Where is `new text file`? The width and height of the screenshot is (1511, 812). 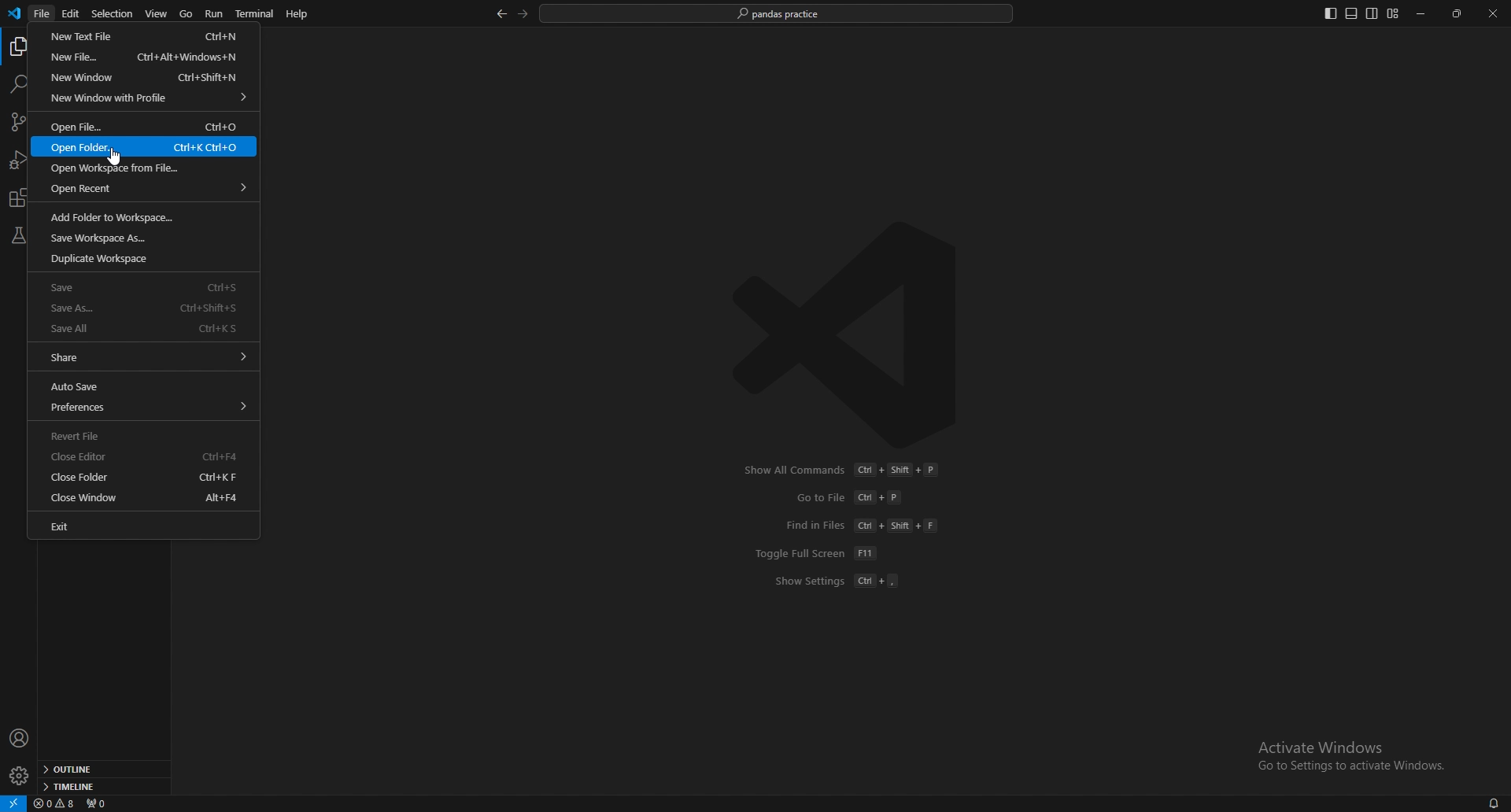 new text file is located at coordinates (141, 35).